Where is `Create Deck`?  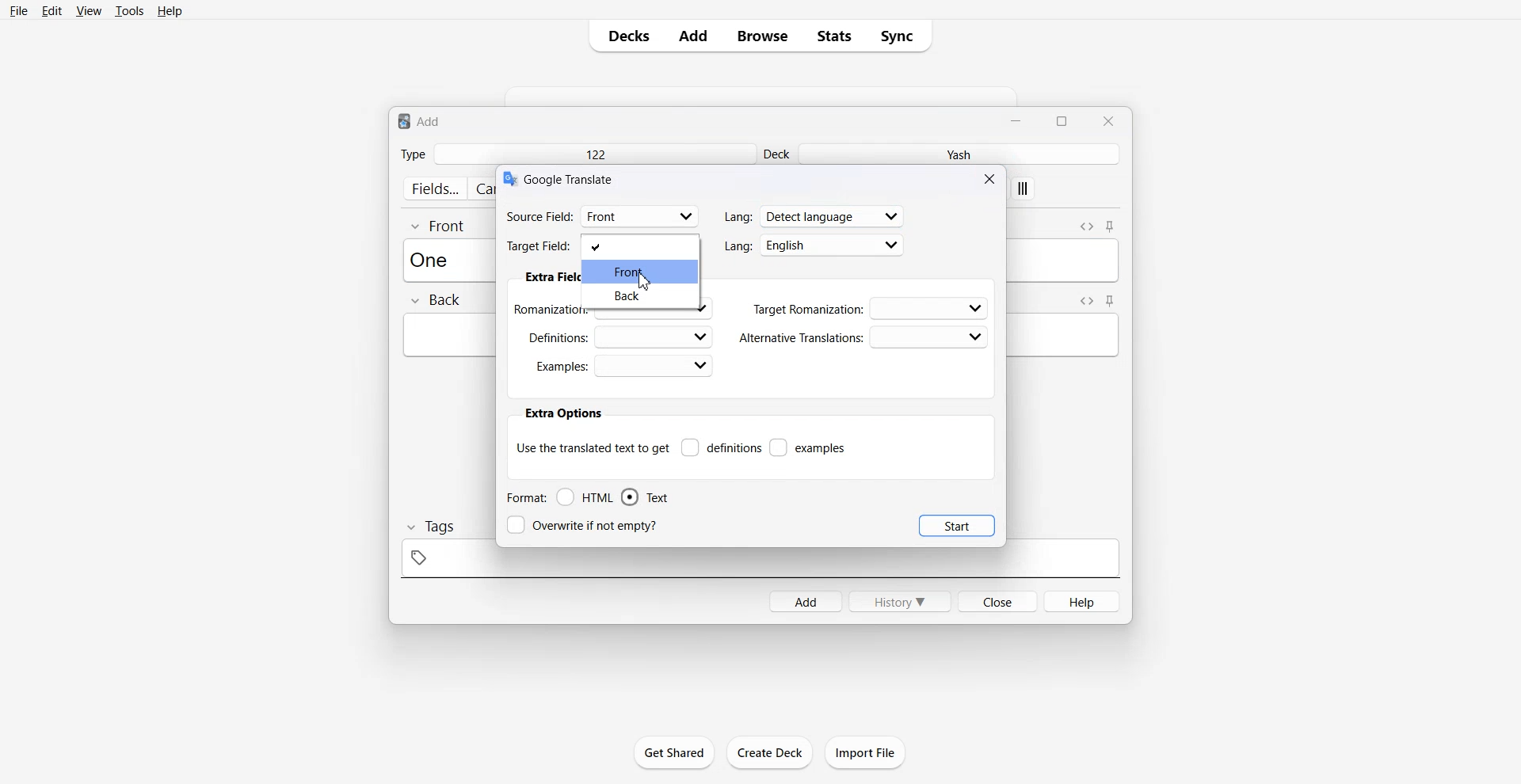 Create Deck is located at coordinates (769, 752).